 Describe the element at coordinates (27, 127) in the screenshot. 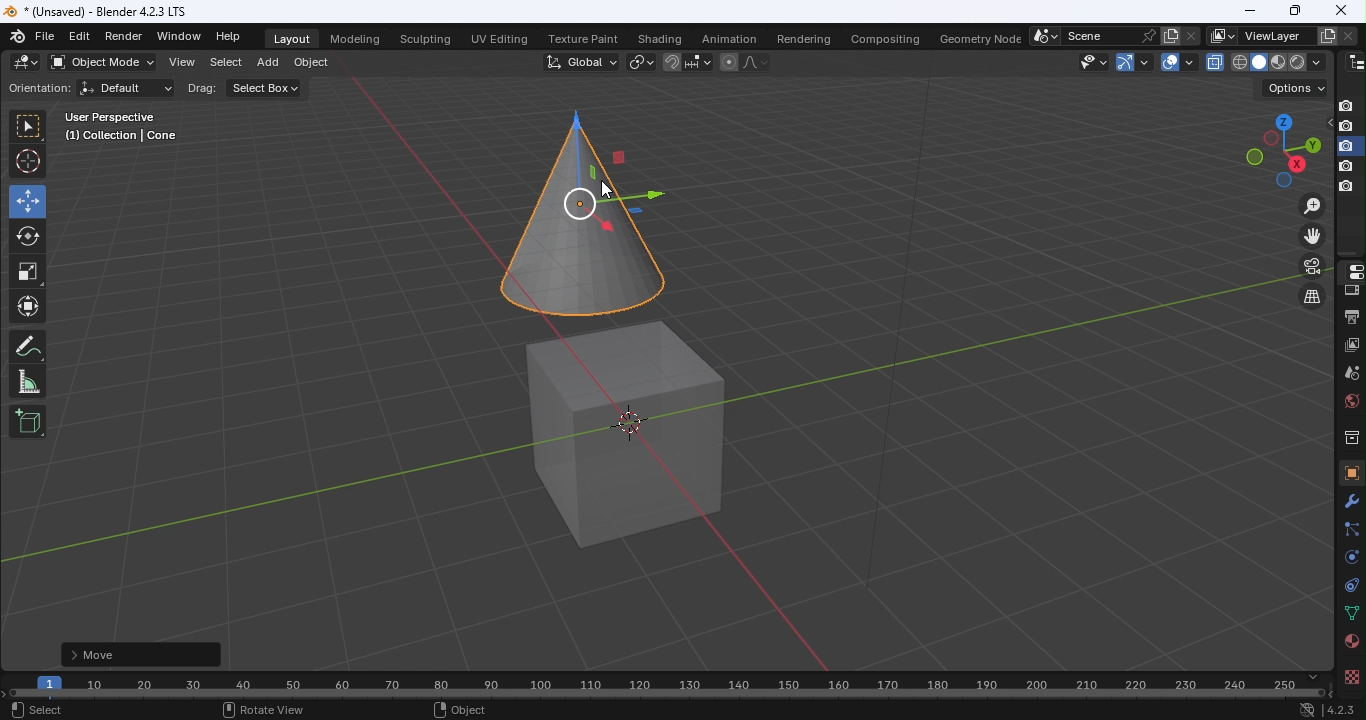

I see `Select box` at that location.